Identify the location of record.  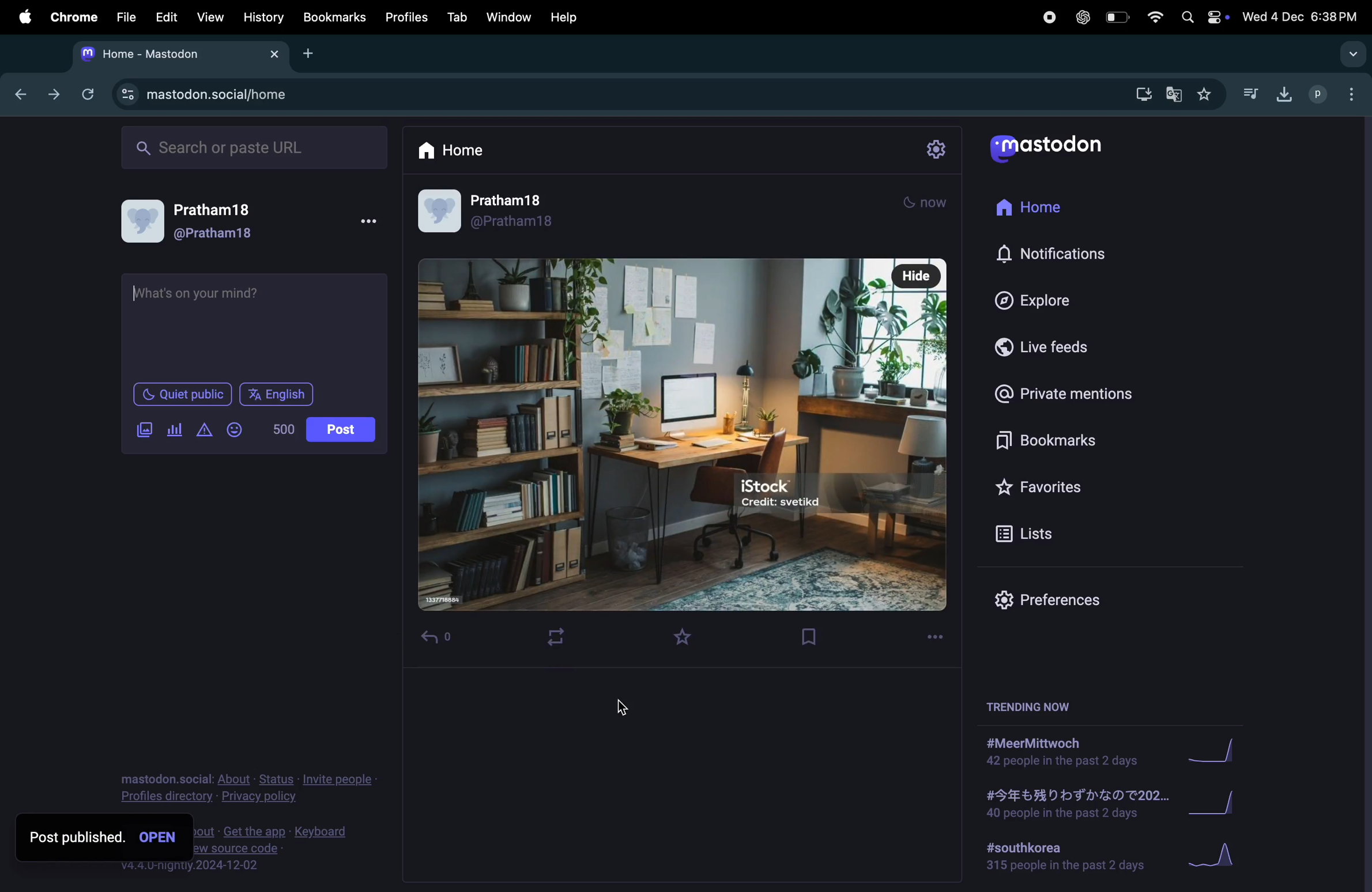
(1048, 17).